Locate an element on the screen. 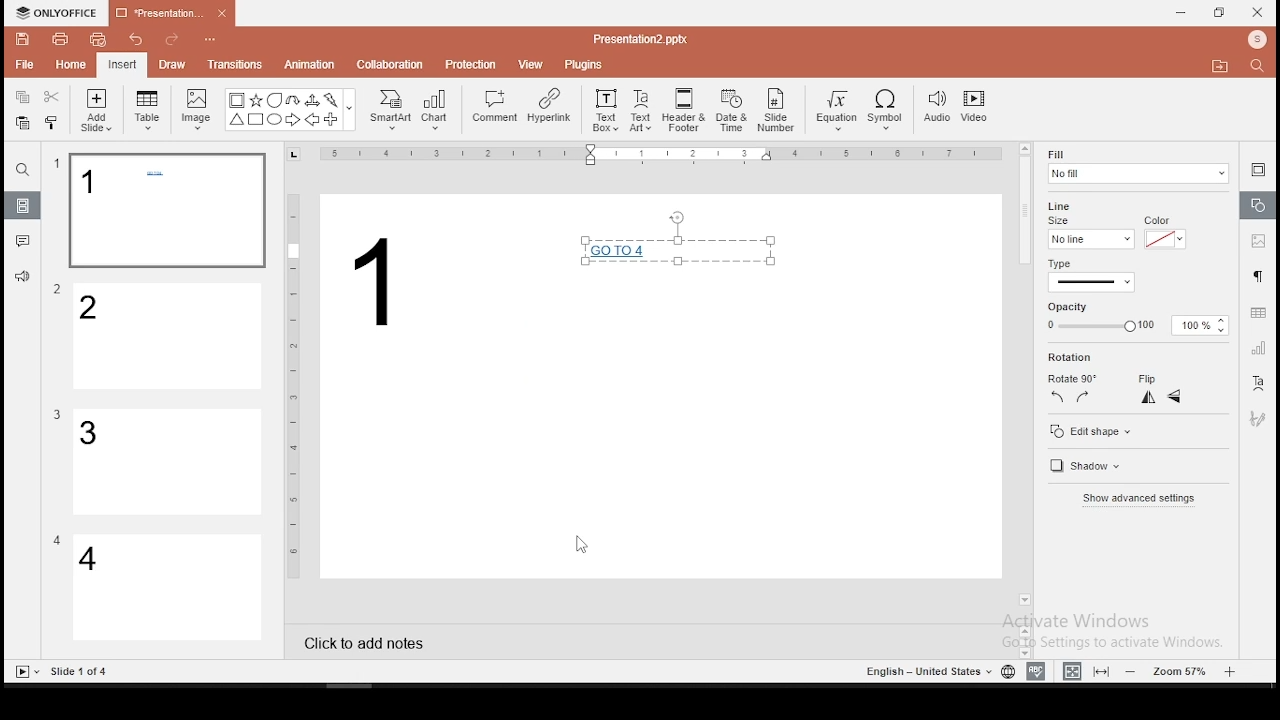 This screenshot has width=1280, height=720.  is located at coordinates (640, 38).